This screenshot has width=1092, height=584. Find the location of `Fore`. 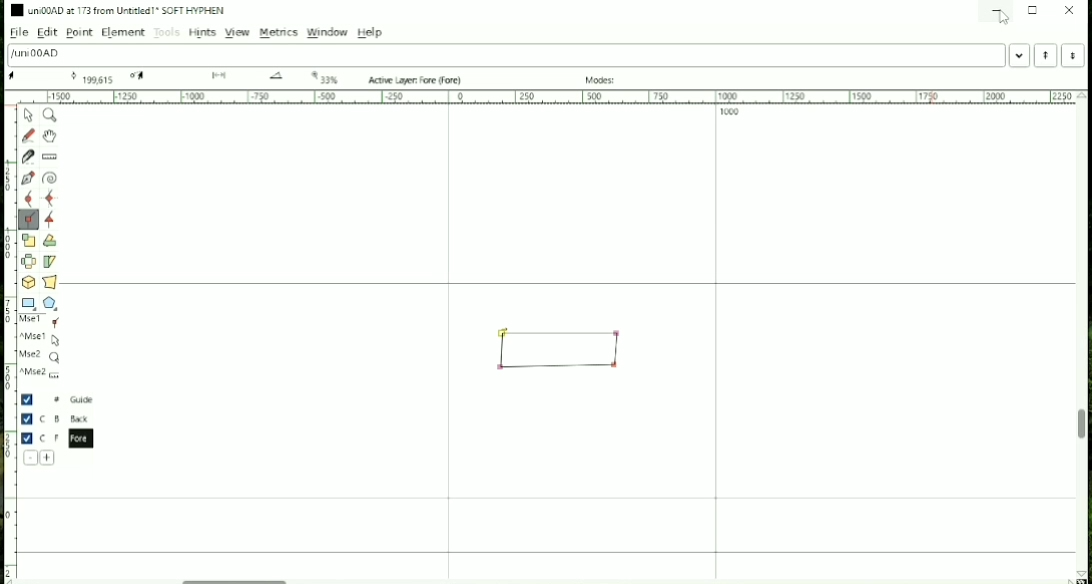

Fore is located at coordinates (63, 438).